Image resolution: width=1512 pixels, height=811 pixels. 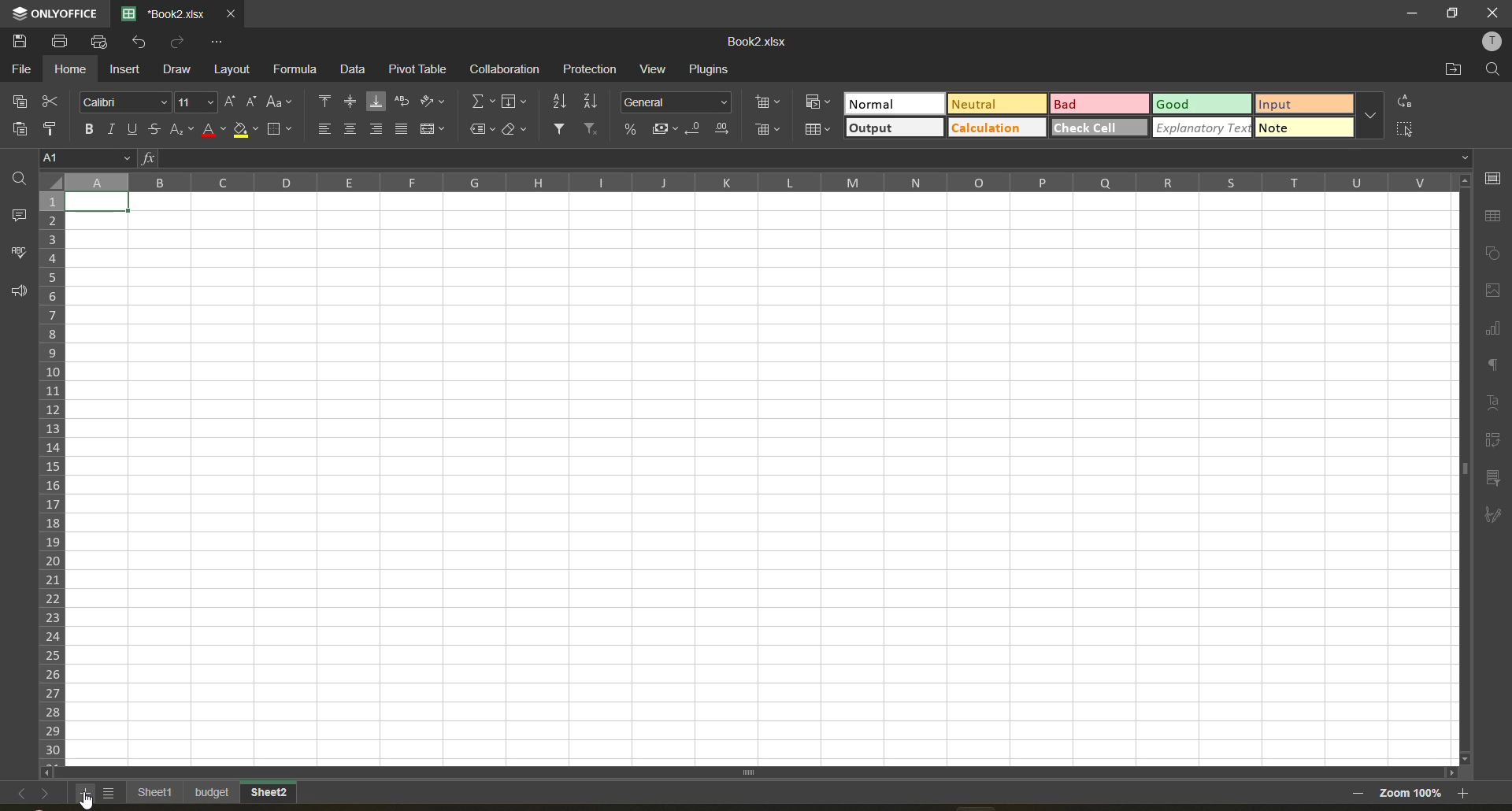 What do you see at coordinates (772, 130) in the screenshot?
I see `delete cells` at bounding box center [772, 130].